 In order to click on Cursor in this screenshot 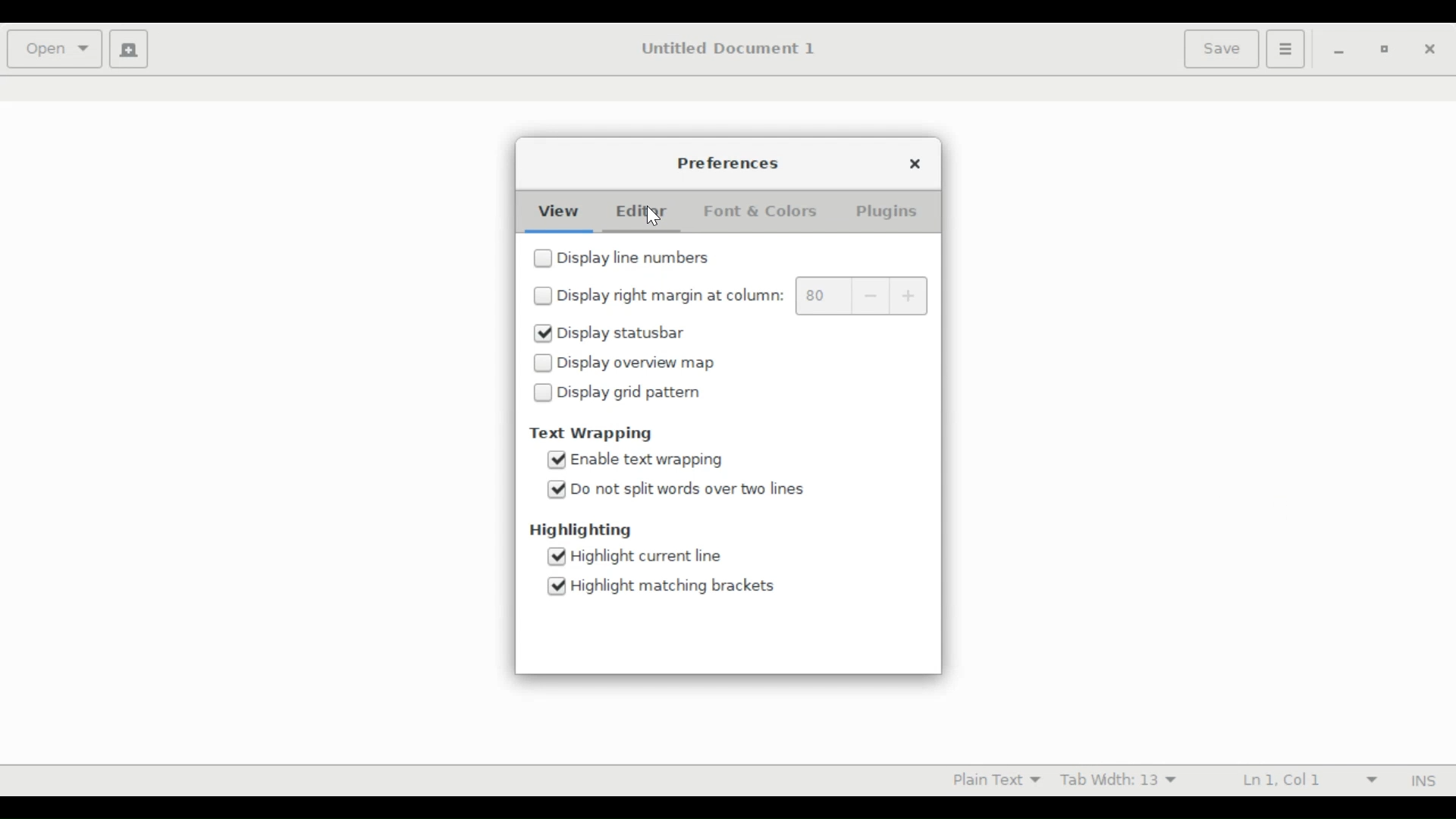, I will do `click(654, 218)`.